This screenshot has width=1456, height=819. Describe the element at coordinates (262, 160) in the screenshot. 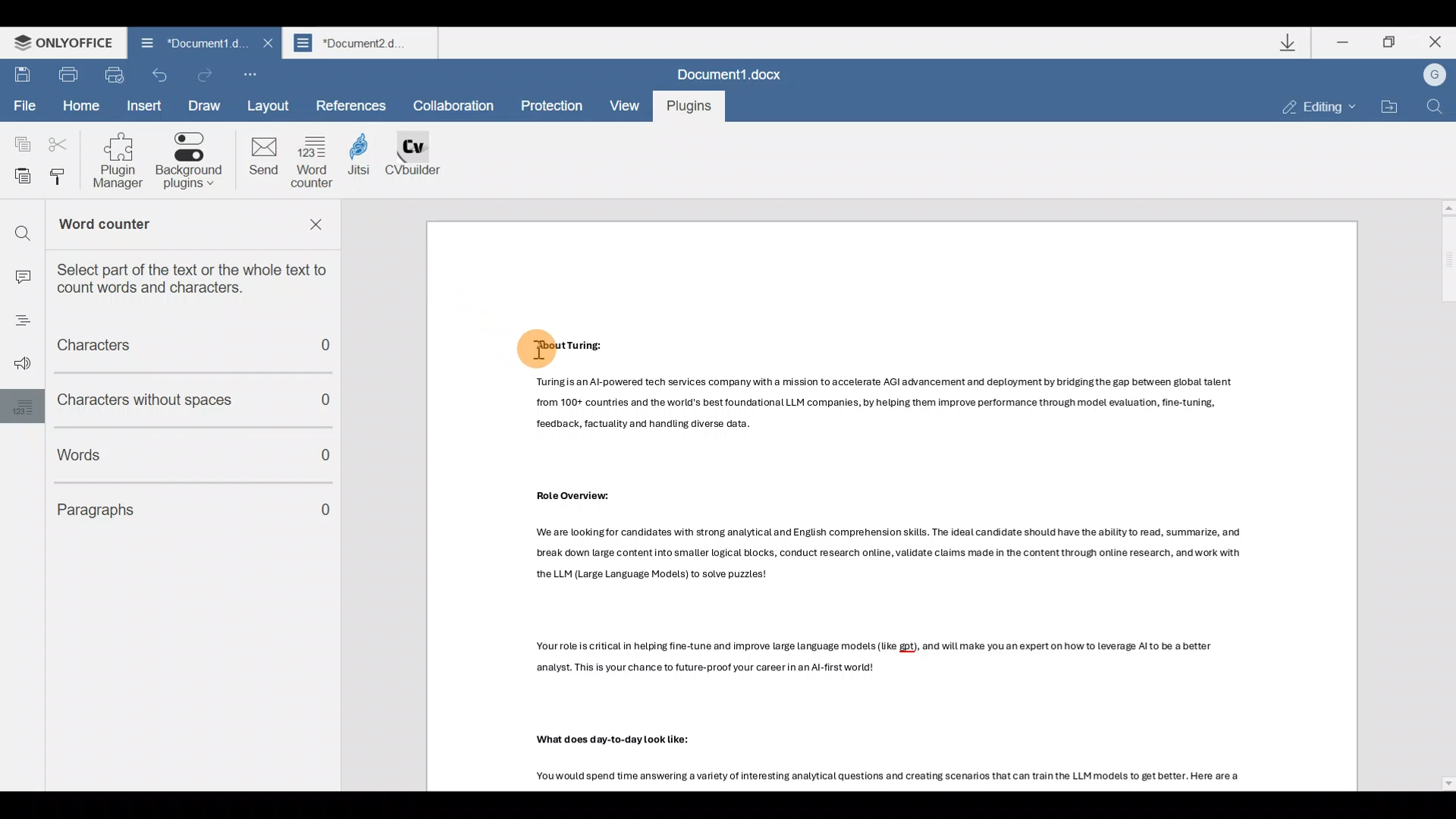

I see `Send` at that location.